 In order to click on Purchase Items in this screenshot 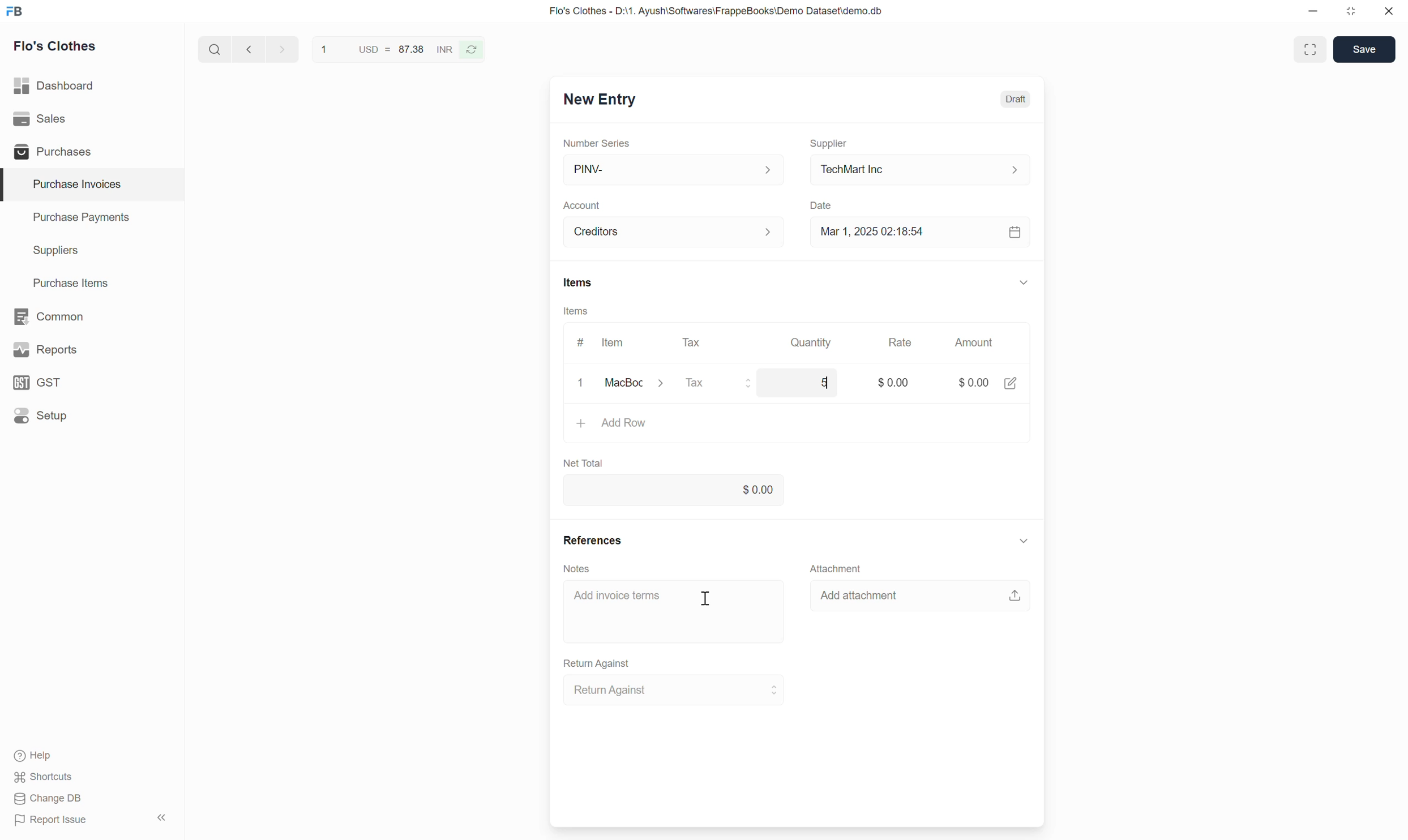, I will do `click(92, 284)`.